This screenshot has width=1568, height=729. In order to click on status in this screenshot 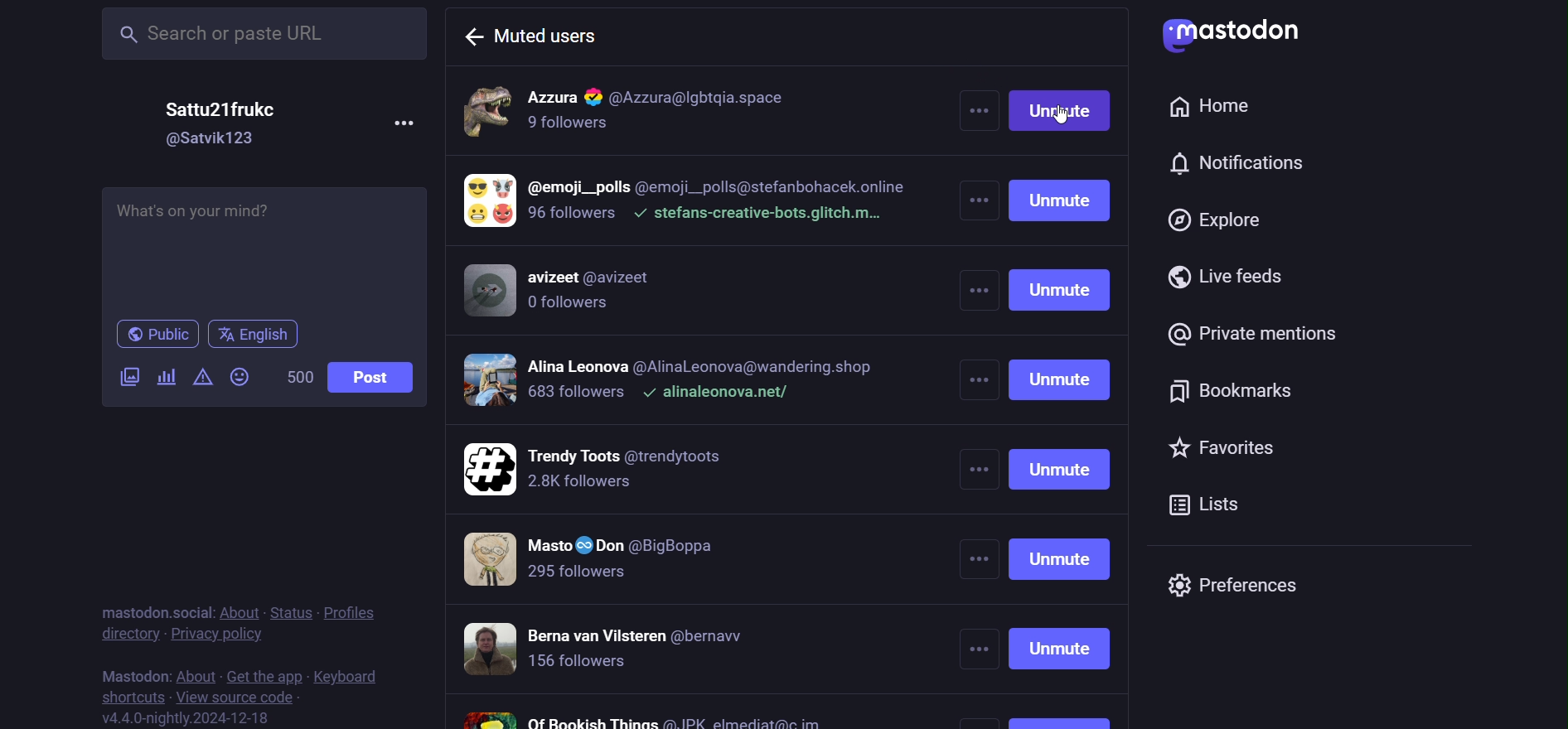, I will do `click(289, 611)`.